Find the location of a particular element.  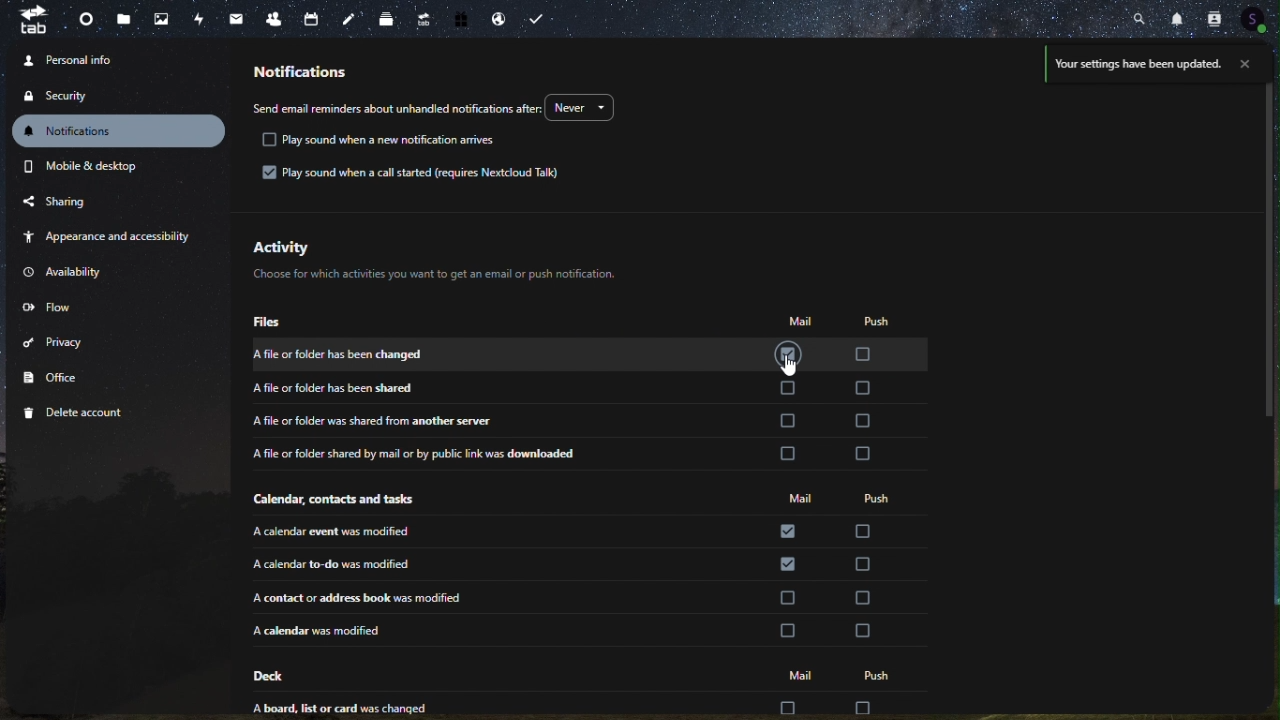

sharing is located at coordinates (83, 199).